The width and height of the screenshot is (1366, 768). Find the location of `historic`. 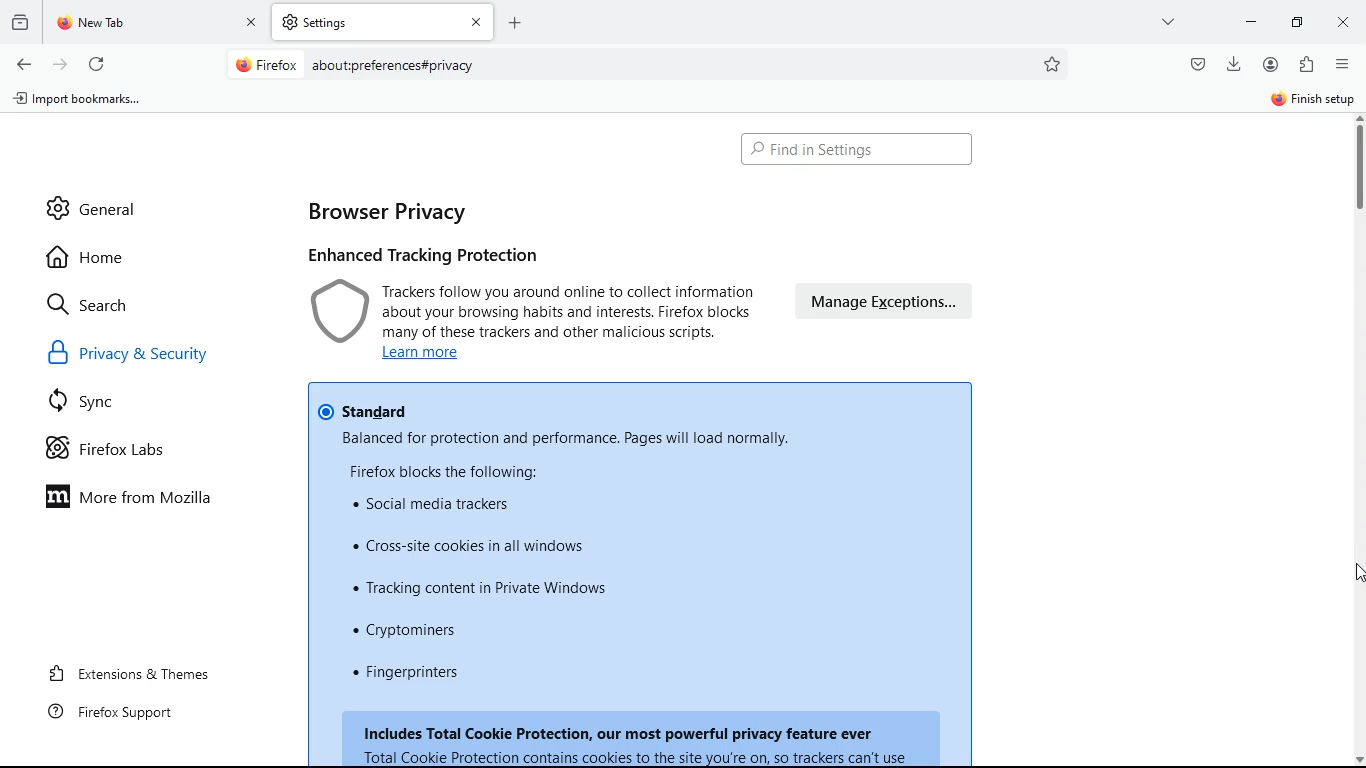

historic is located at coordinates (23, 21).